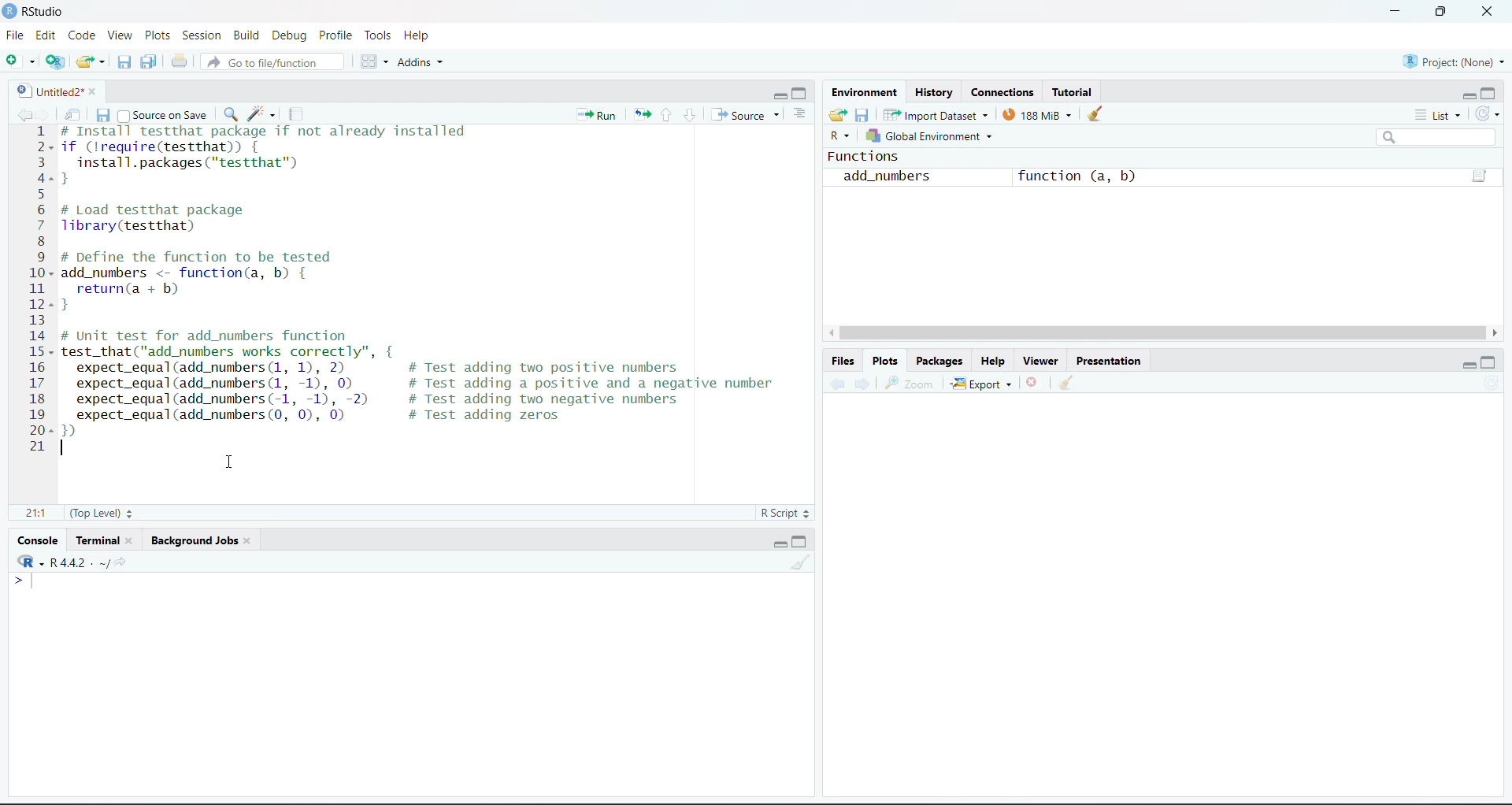 This screenshot has height=805, width=1512. What do you see at coordinates (931, 91) in the screenshot?
I see `History` at bounding box center [931, 91].